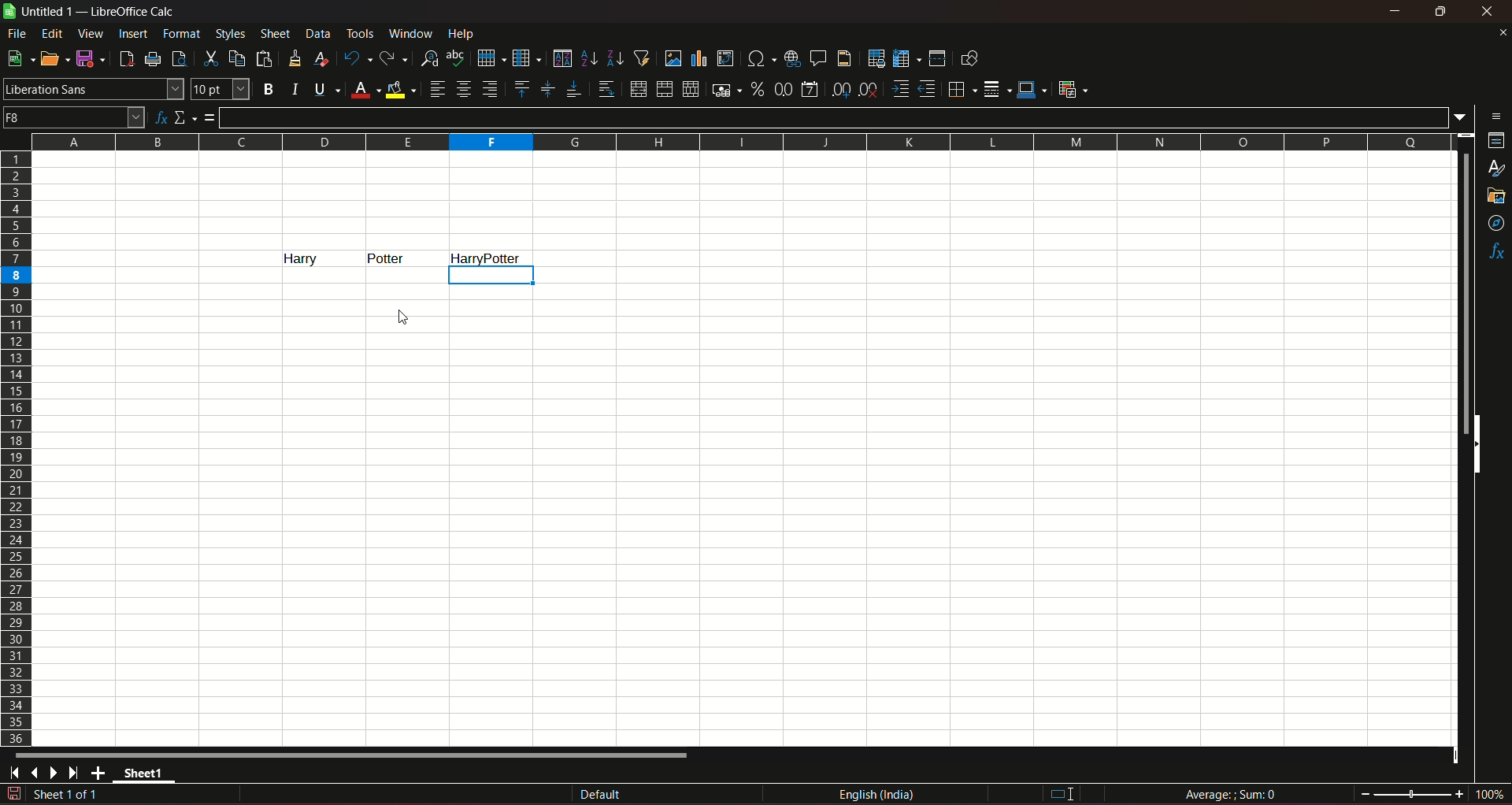 The width and height of the screenshot is (1512, 805). What do you see at coordinates (969, 57) in the screenshot?
I see `show draw functions` at bounding box center [969, 57].